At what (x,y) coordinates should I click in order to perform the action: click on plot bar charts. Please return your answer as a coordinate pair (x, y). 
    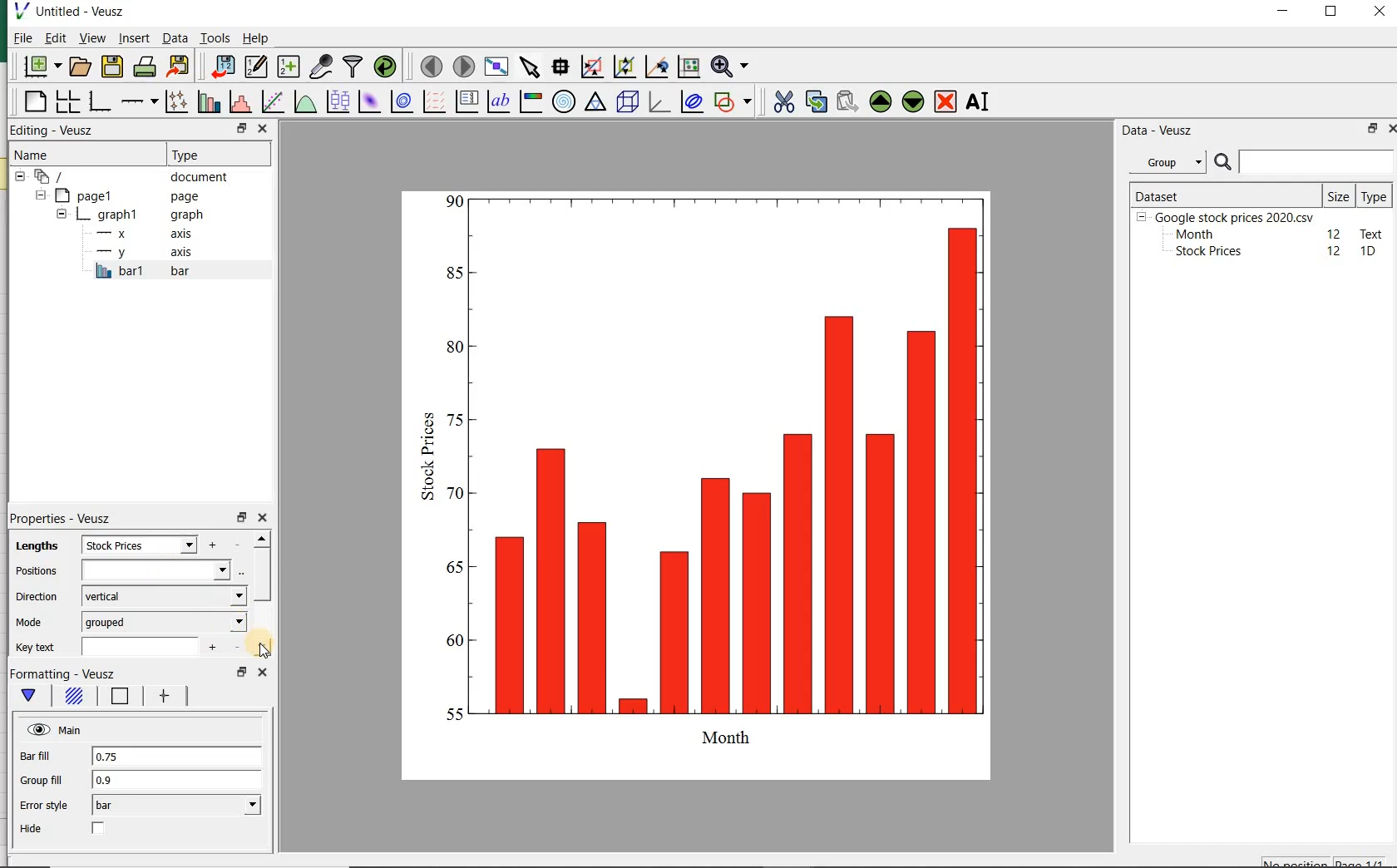
    Looking at the image, I should click on (206, 103).